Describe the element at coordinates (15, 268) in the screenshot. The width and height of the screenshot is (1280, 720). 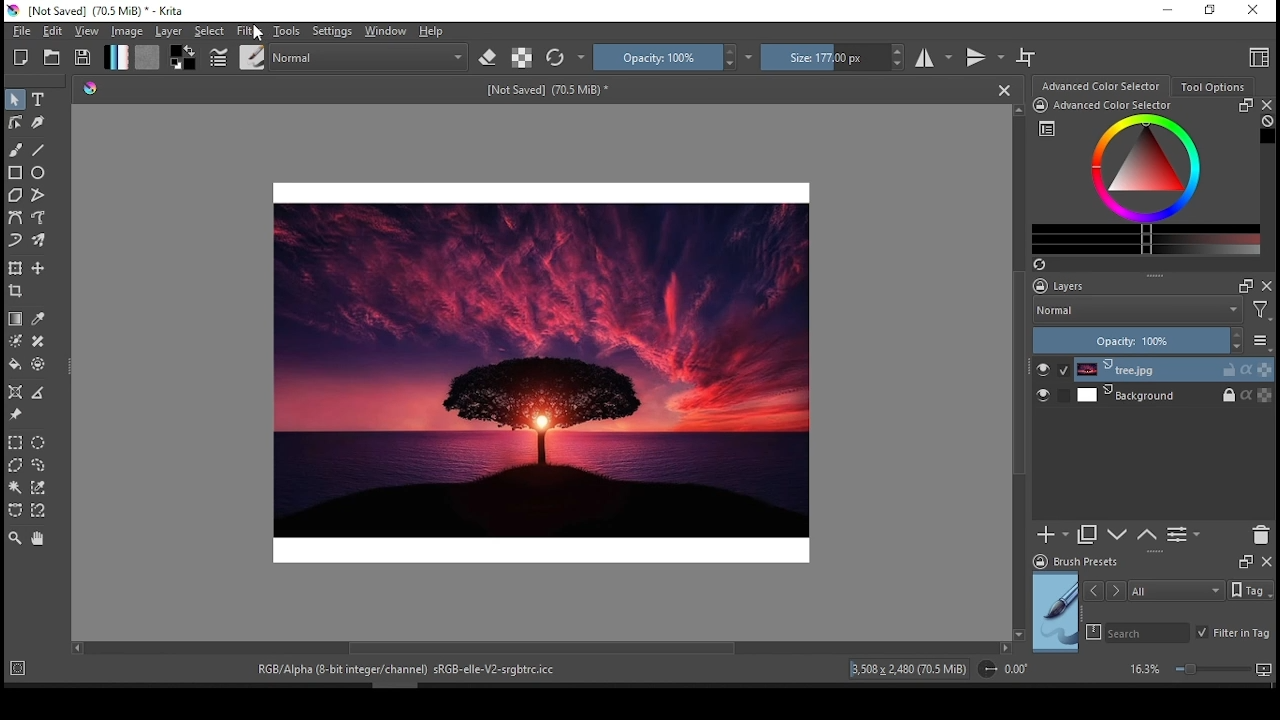
I see `transform or move a layer` at that location.